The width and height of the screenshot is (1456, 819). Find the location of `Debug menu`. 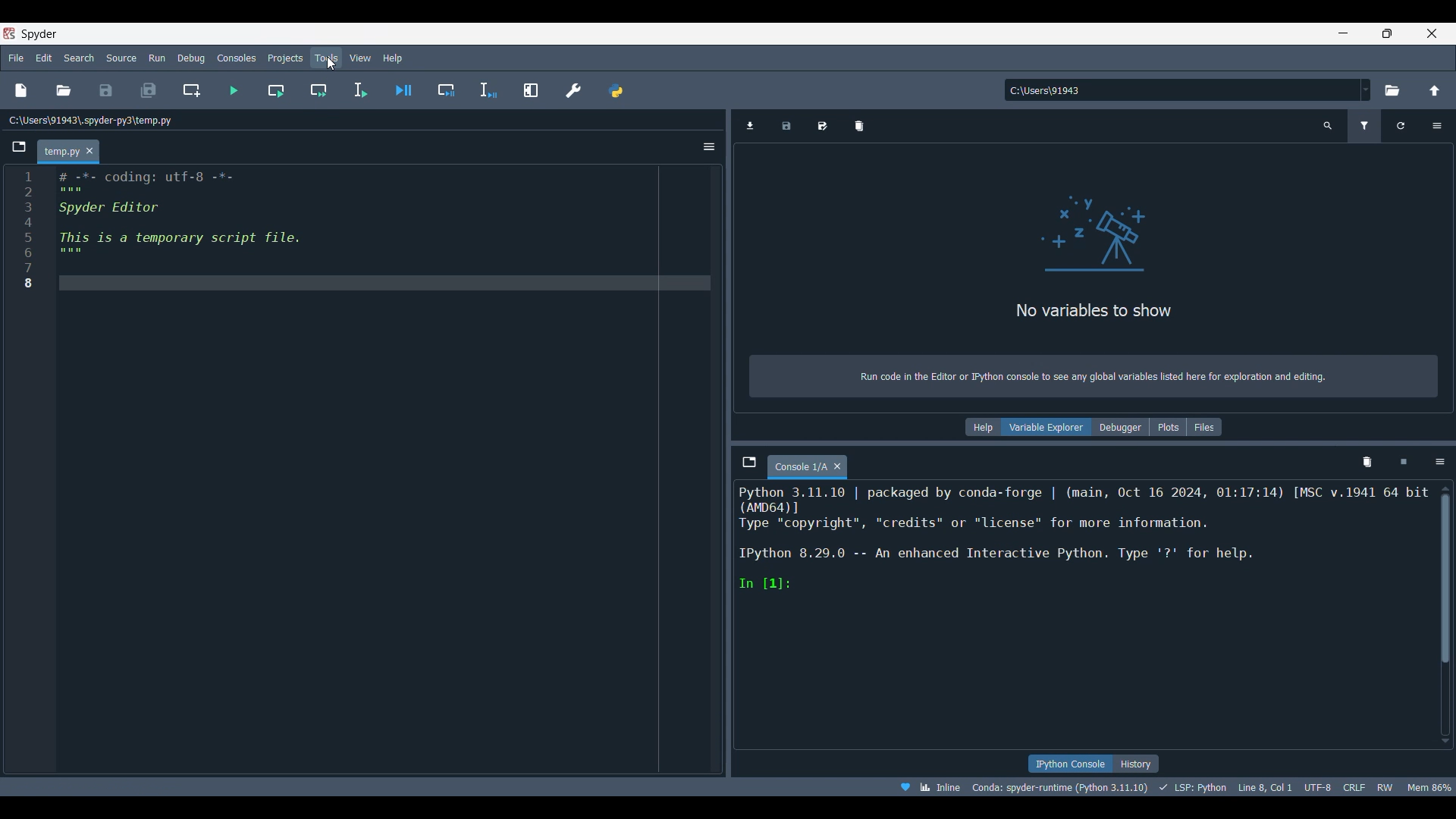

Debug menu is located at coordinates (191, 58).